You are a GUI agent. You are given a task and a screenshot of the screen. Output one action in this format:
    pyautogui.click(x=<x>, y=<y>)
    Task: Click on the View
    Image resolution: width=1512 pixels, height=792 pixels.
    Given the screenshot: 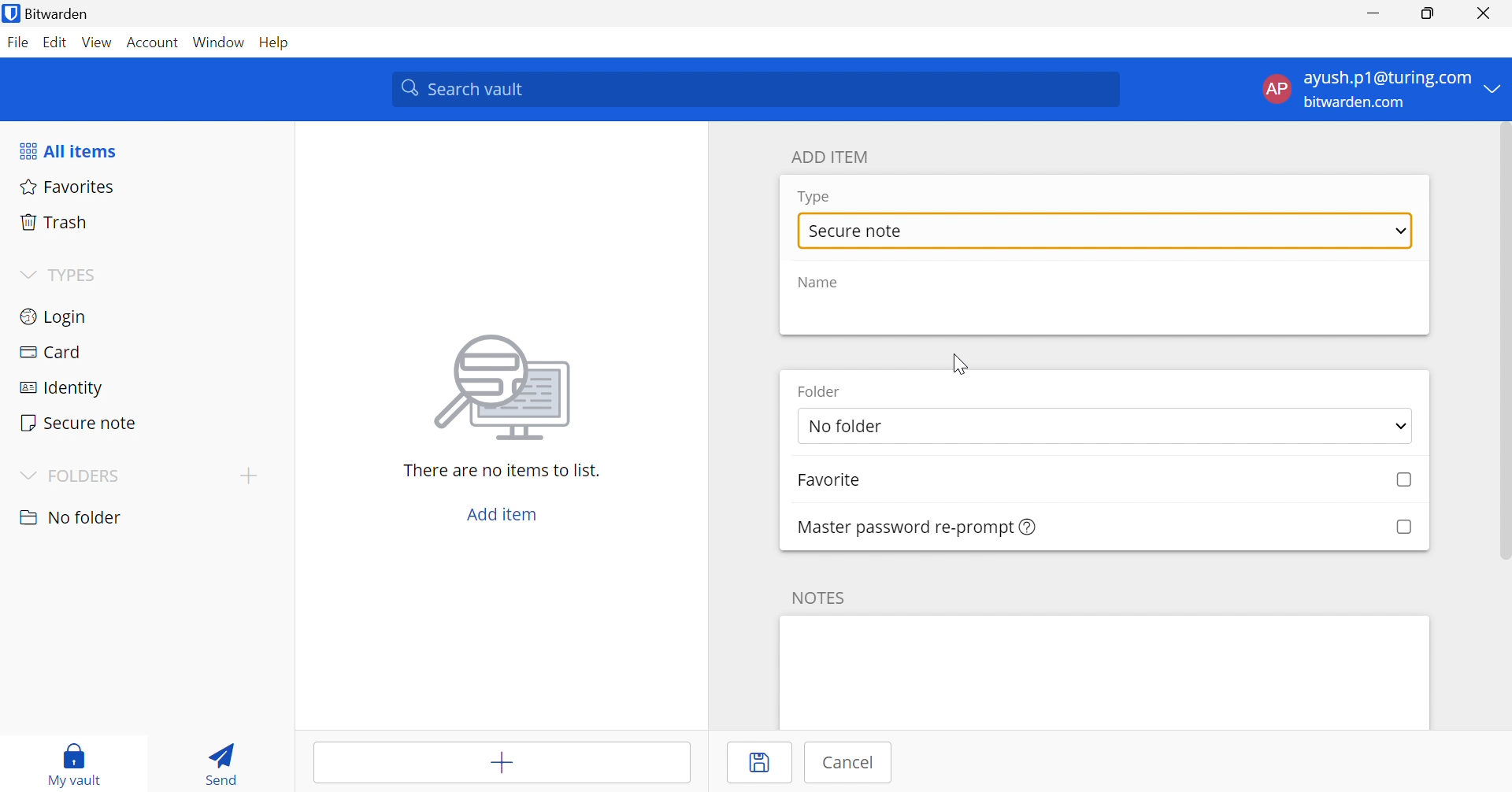 What is the action you would take?
    pyautogui.click(x=98, y=44)
    